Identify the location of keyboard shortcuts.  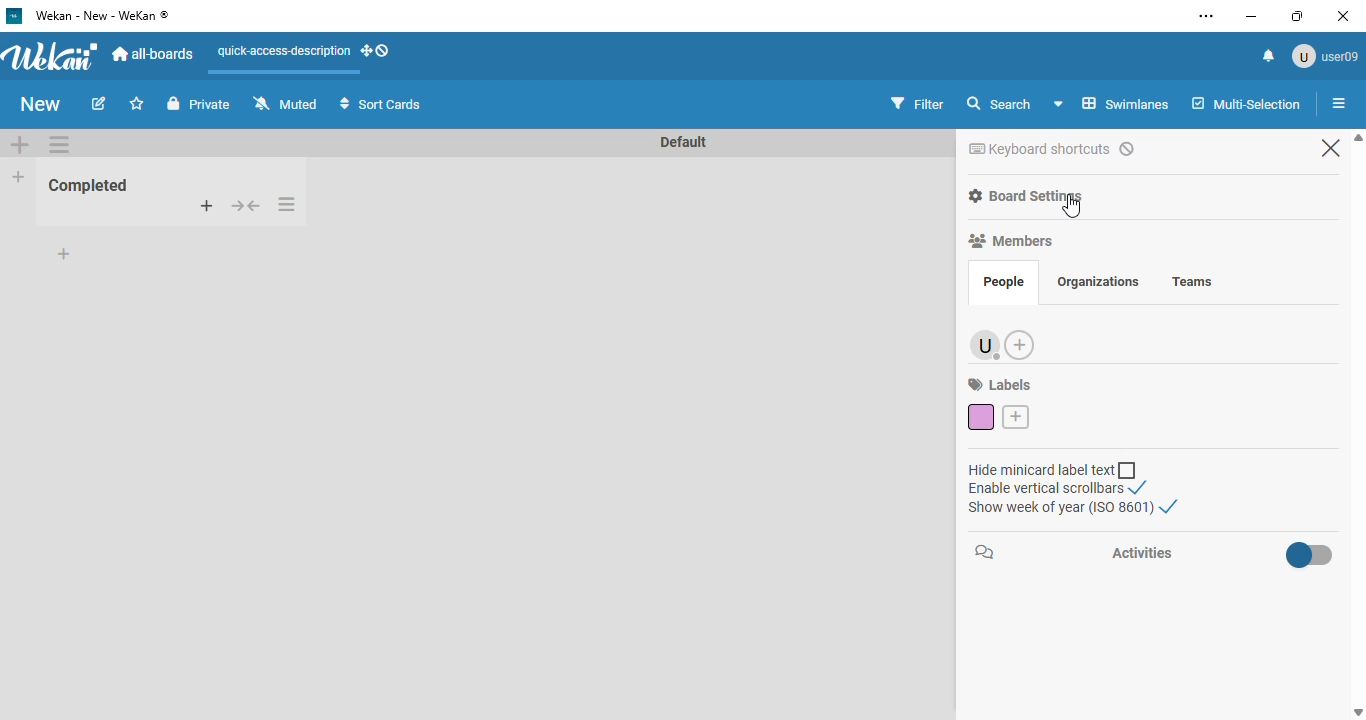
(1054, 148).